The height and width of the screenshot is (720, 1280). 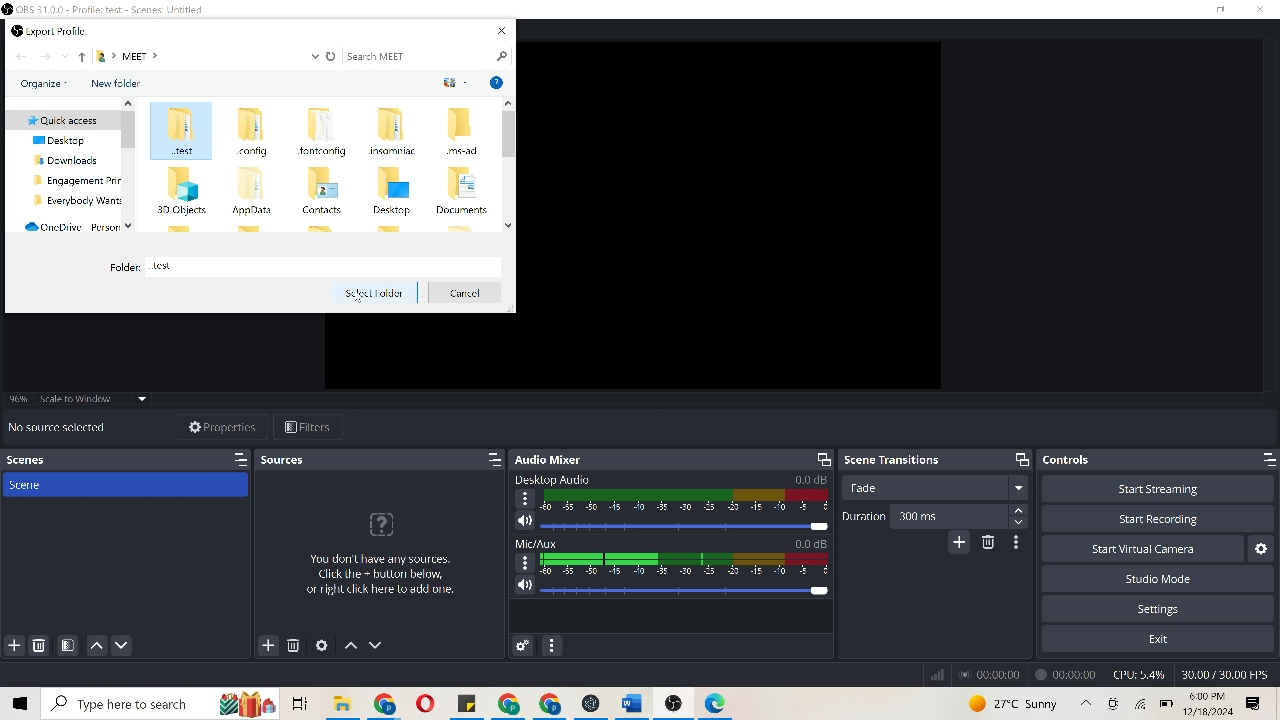 What do you see at coordinates (563, 479) in the screenshot?
I see `Desktop Audio` at bounding box center [563, 479].